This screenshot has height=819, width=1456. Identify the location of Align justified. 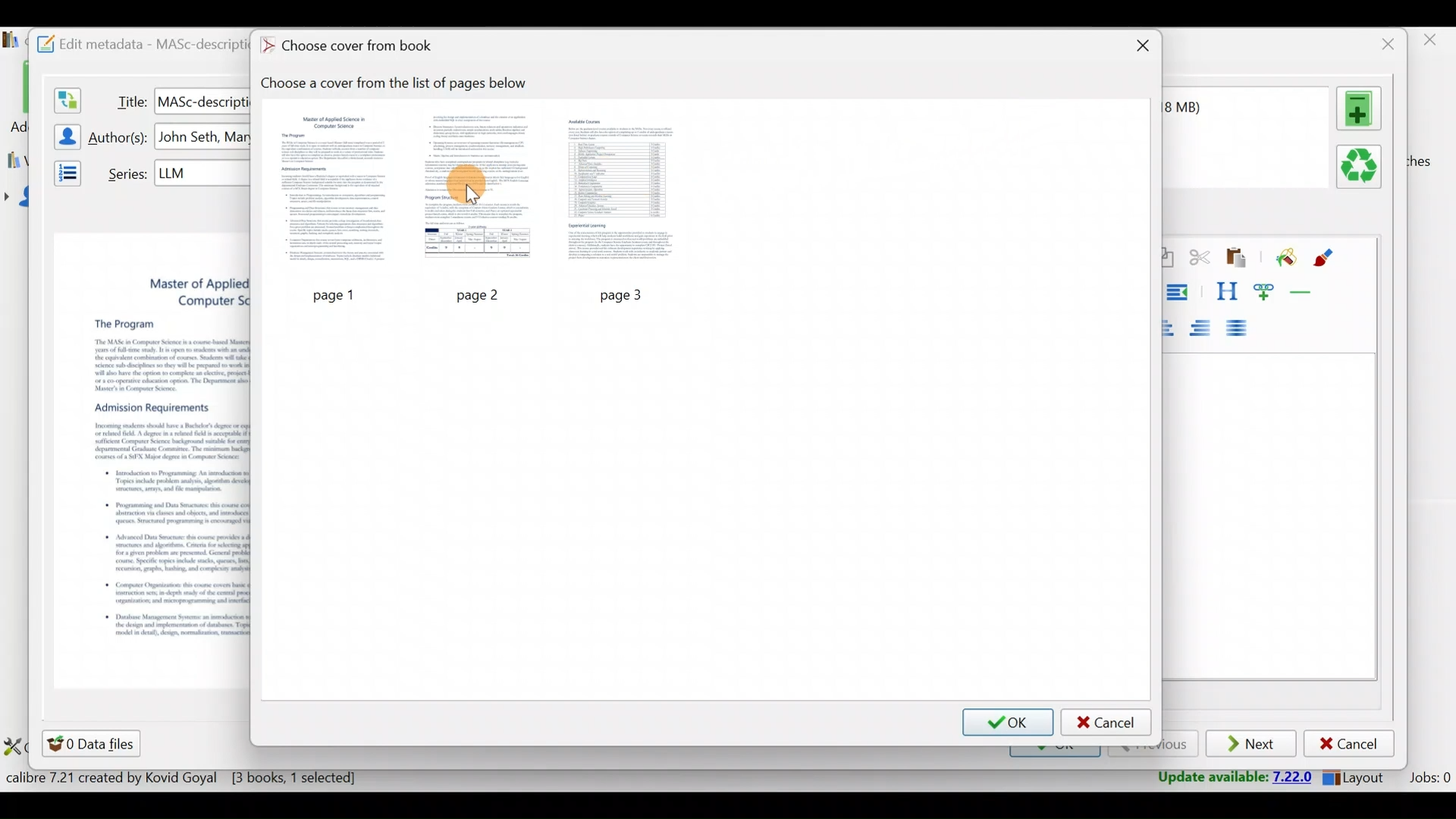
(1241, 329).